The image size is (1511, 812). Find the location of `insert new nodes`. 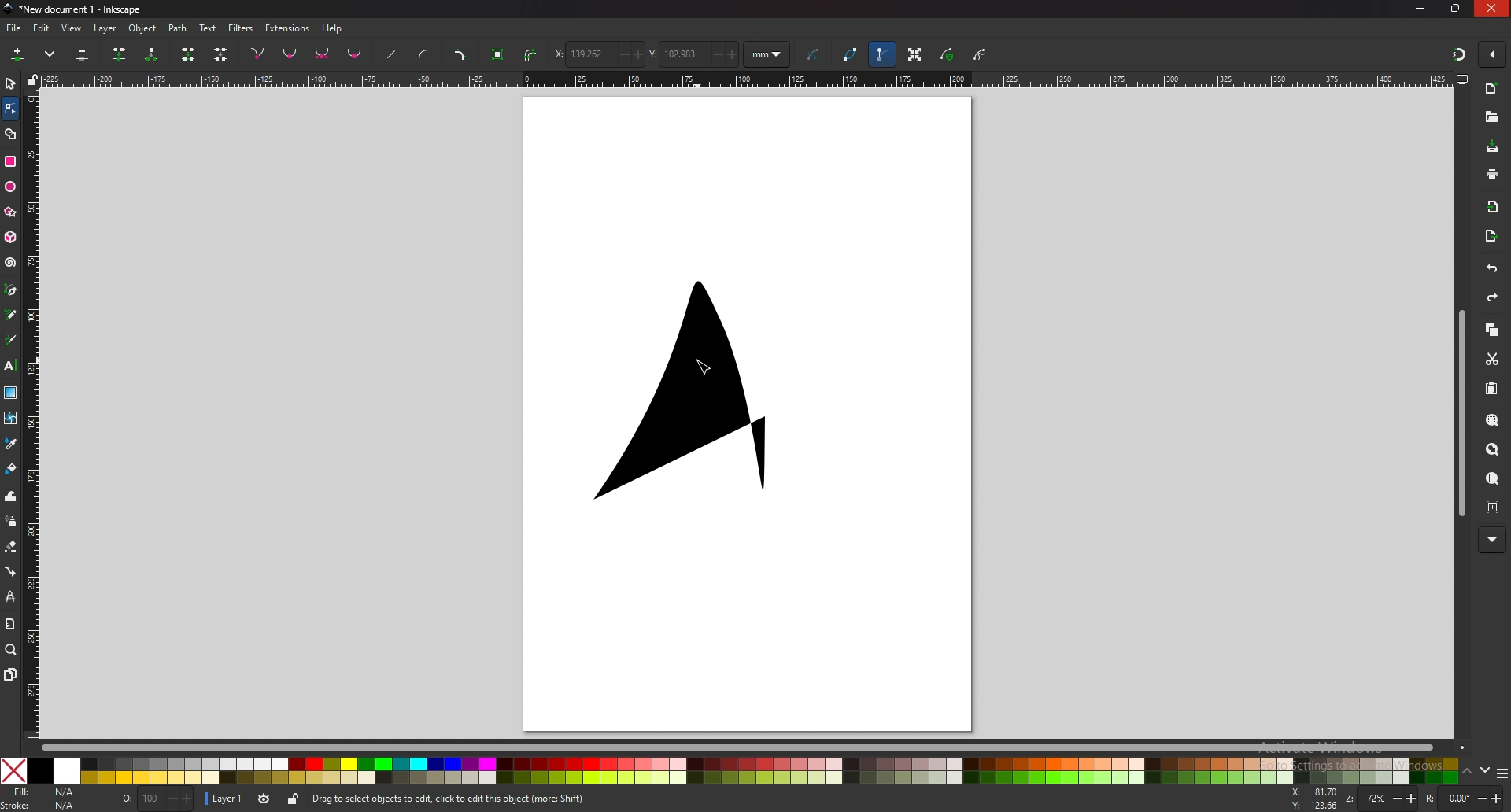

insert new nodes is located at coordinates (18, 54).